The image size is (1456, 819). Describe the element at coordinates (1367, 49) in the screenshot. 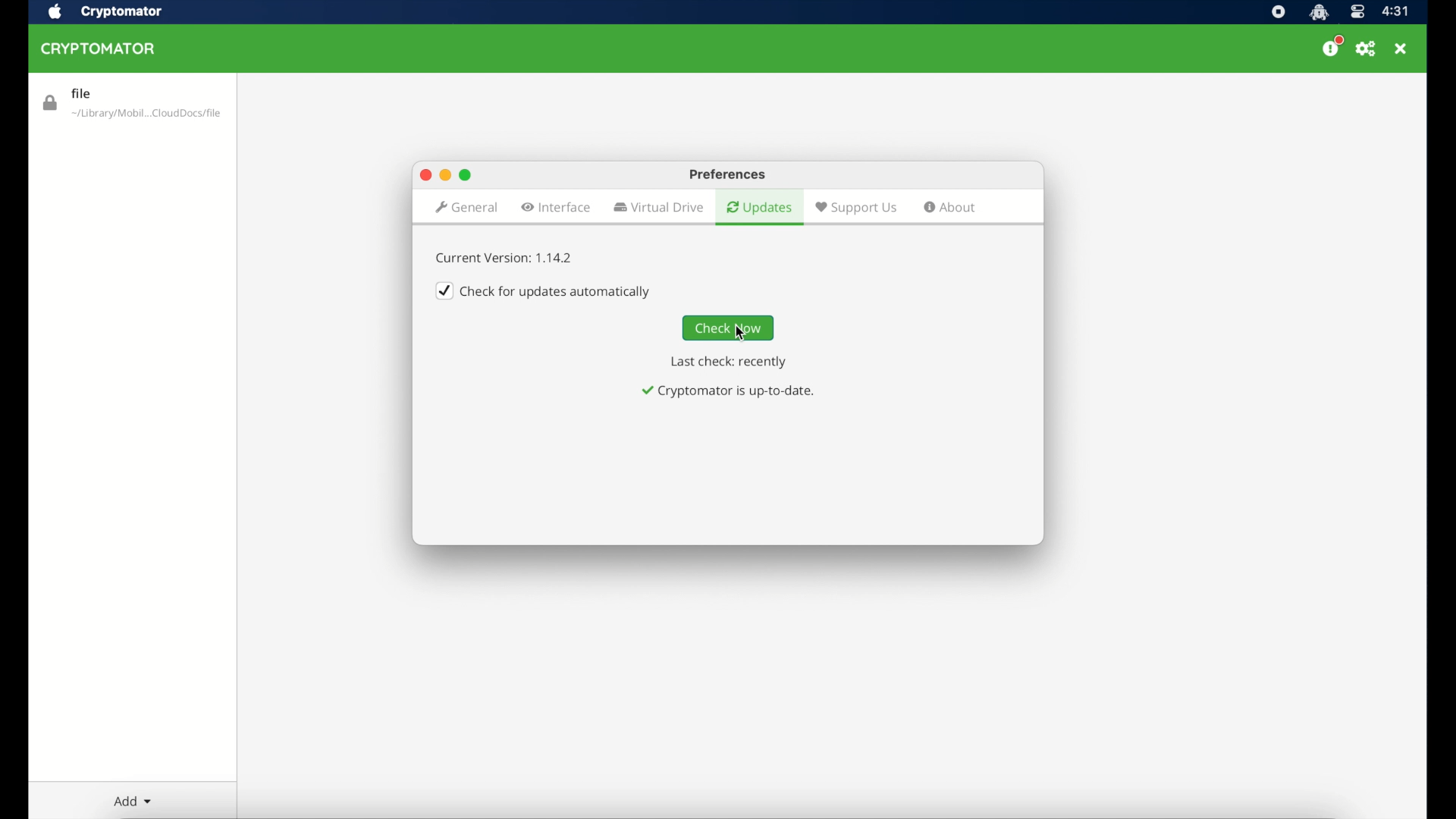

I see `preferences` at that location.